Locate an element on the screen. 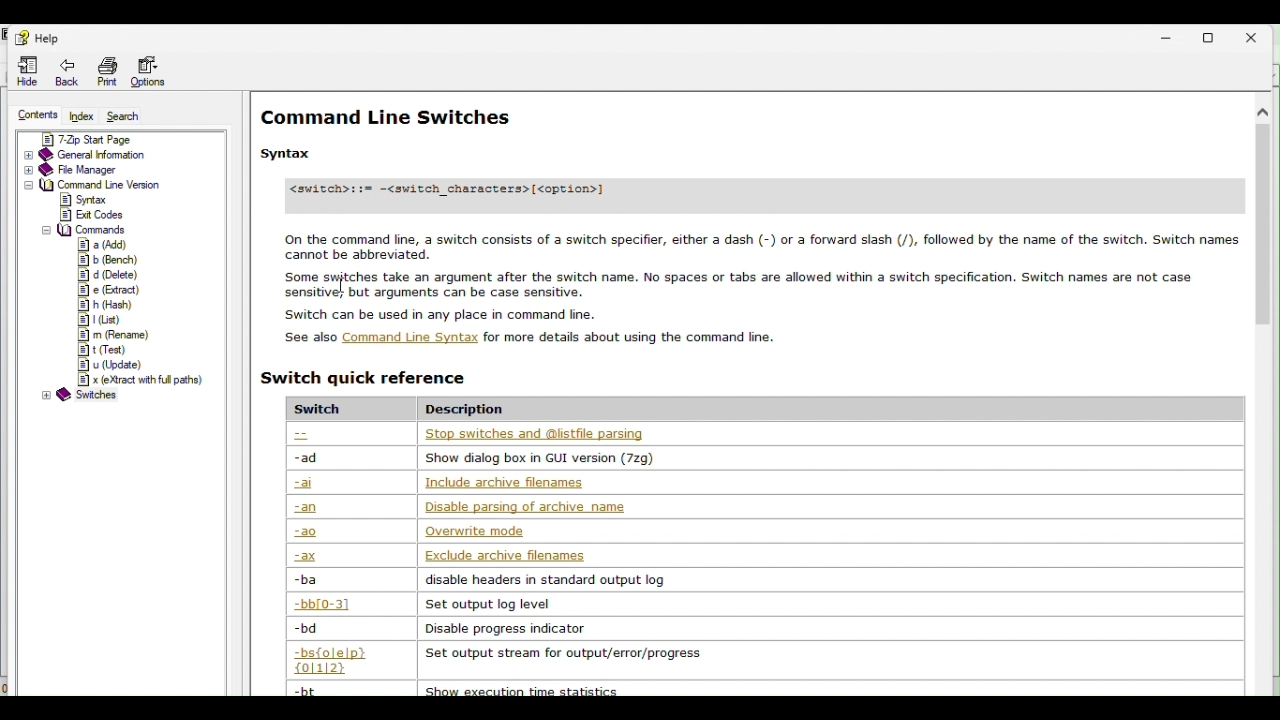 The height and width of the screenshot is (720, 1280). expand is located at coordinates (30, 186).